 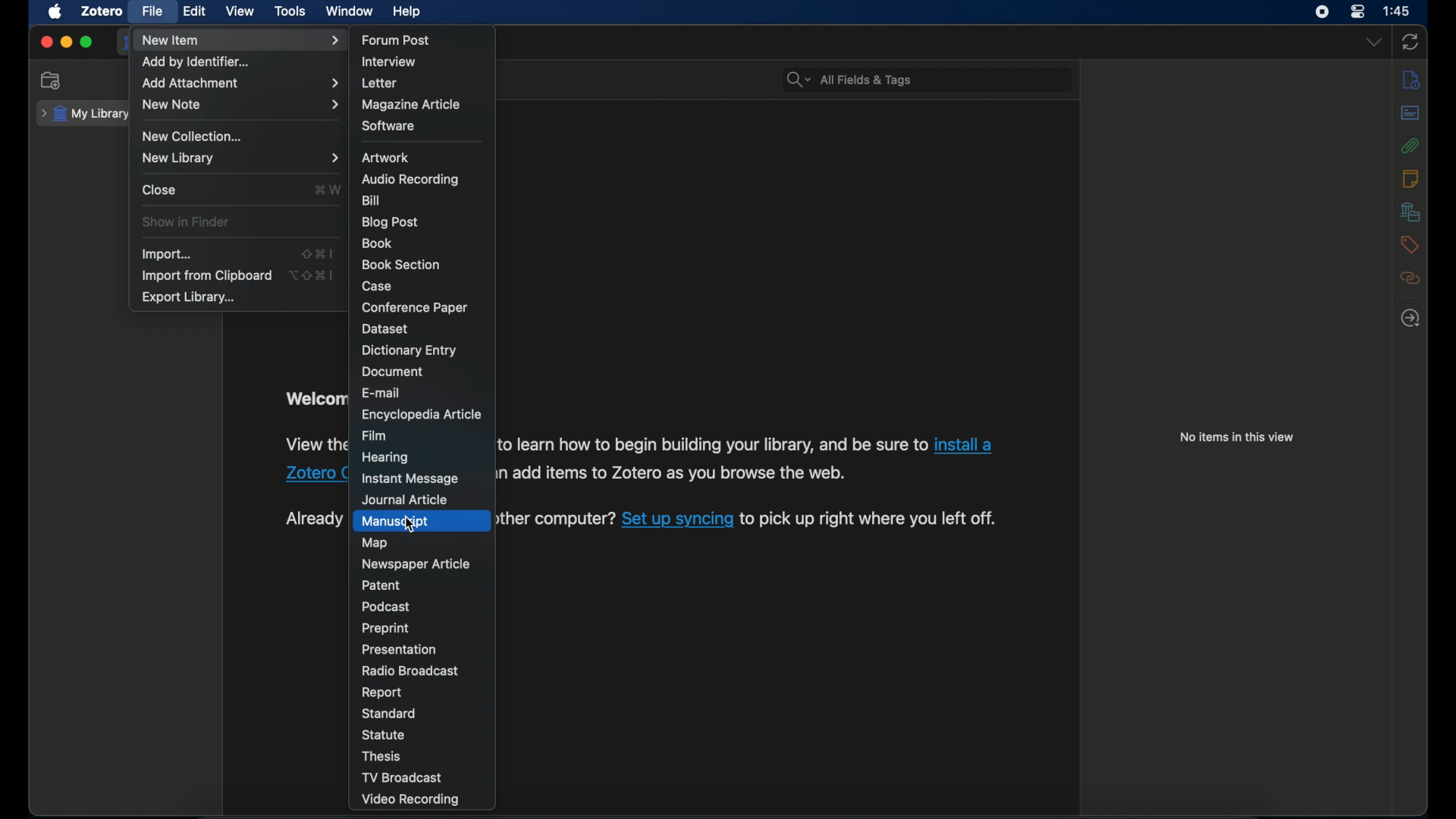 I want to click on export library, so click(x=190, y=297).